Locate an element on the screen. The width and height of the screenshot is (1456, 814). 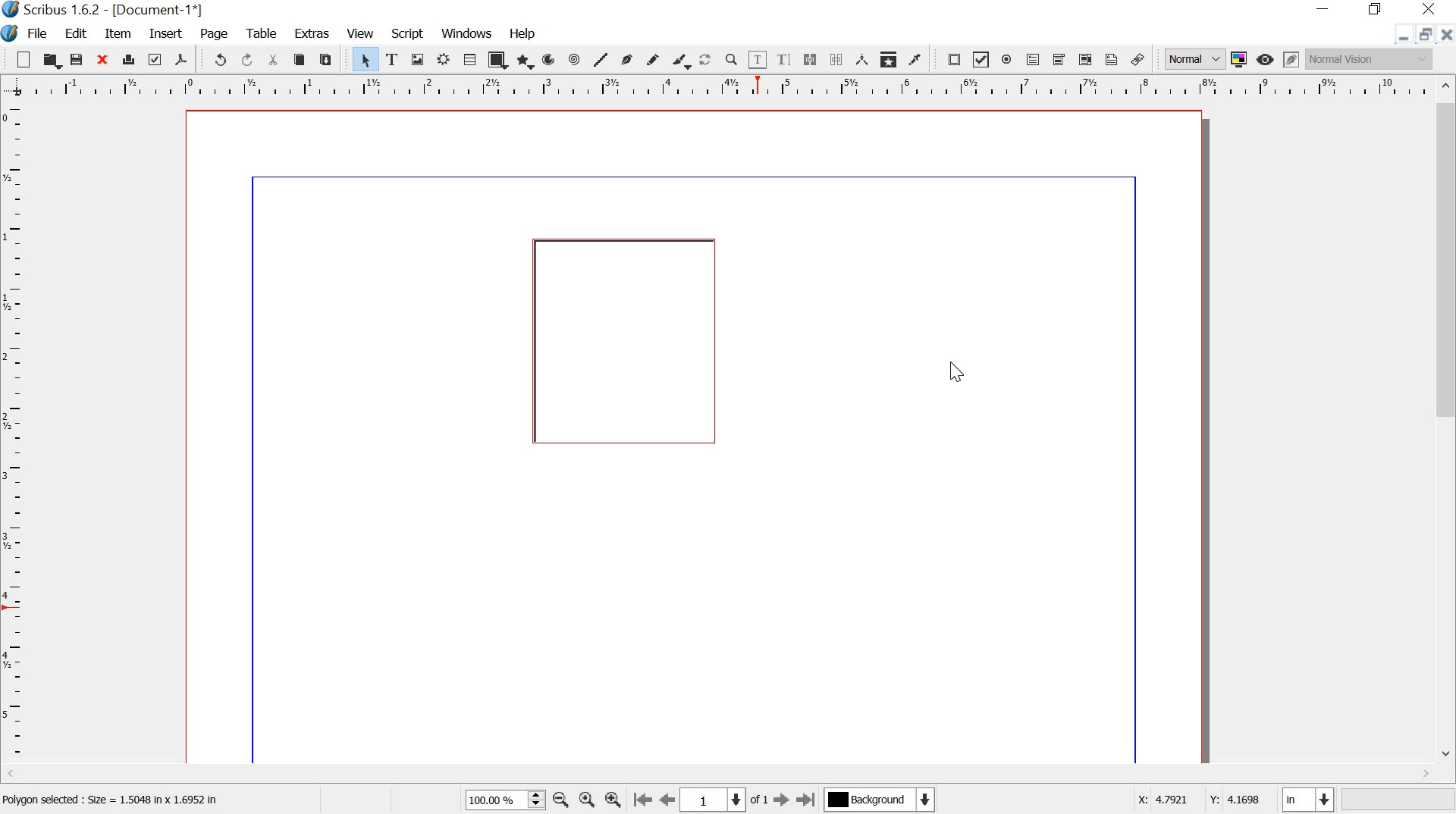
item is located at coordinates (120, 34).